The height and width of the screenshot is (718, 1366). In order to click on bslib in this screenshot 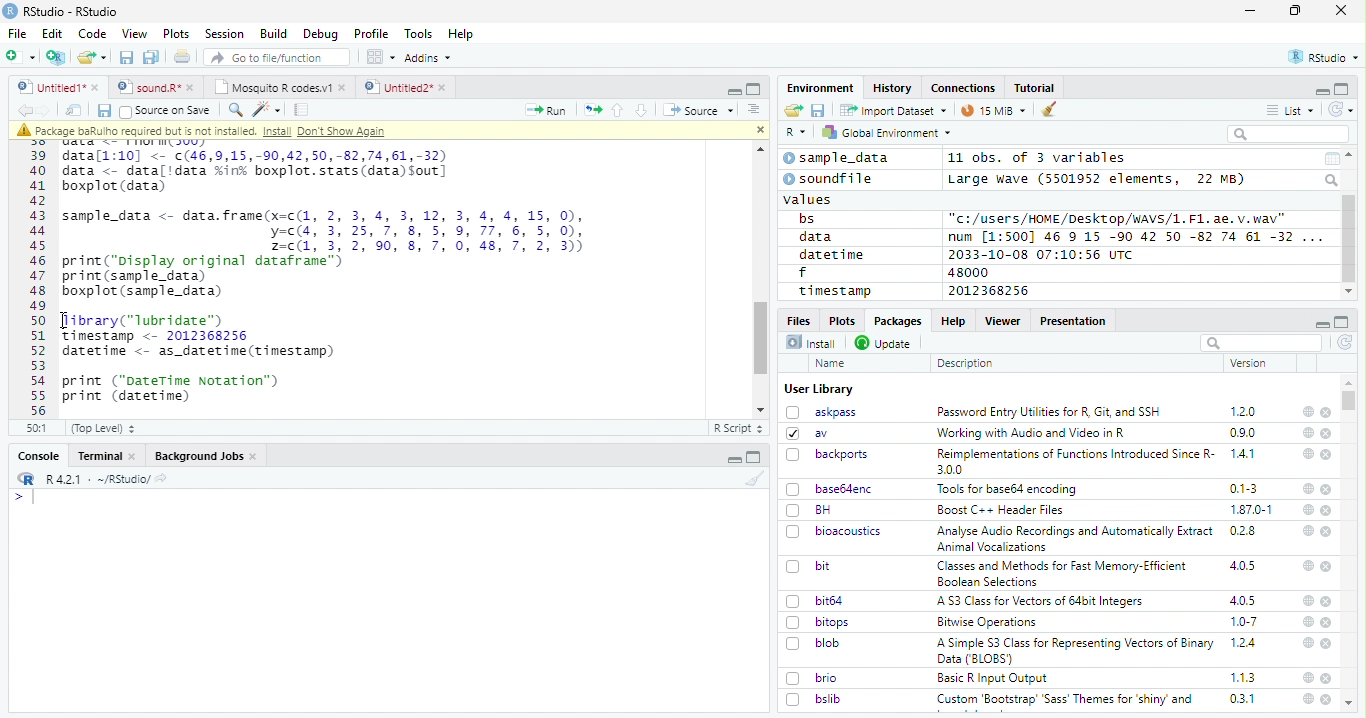, I will do `click(814, 698)`.